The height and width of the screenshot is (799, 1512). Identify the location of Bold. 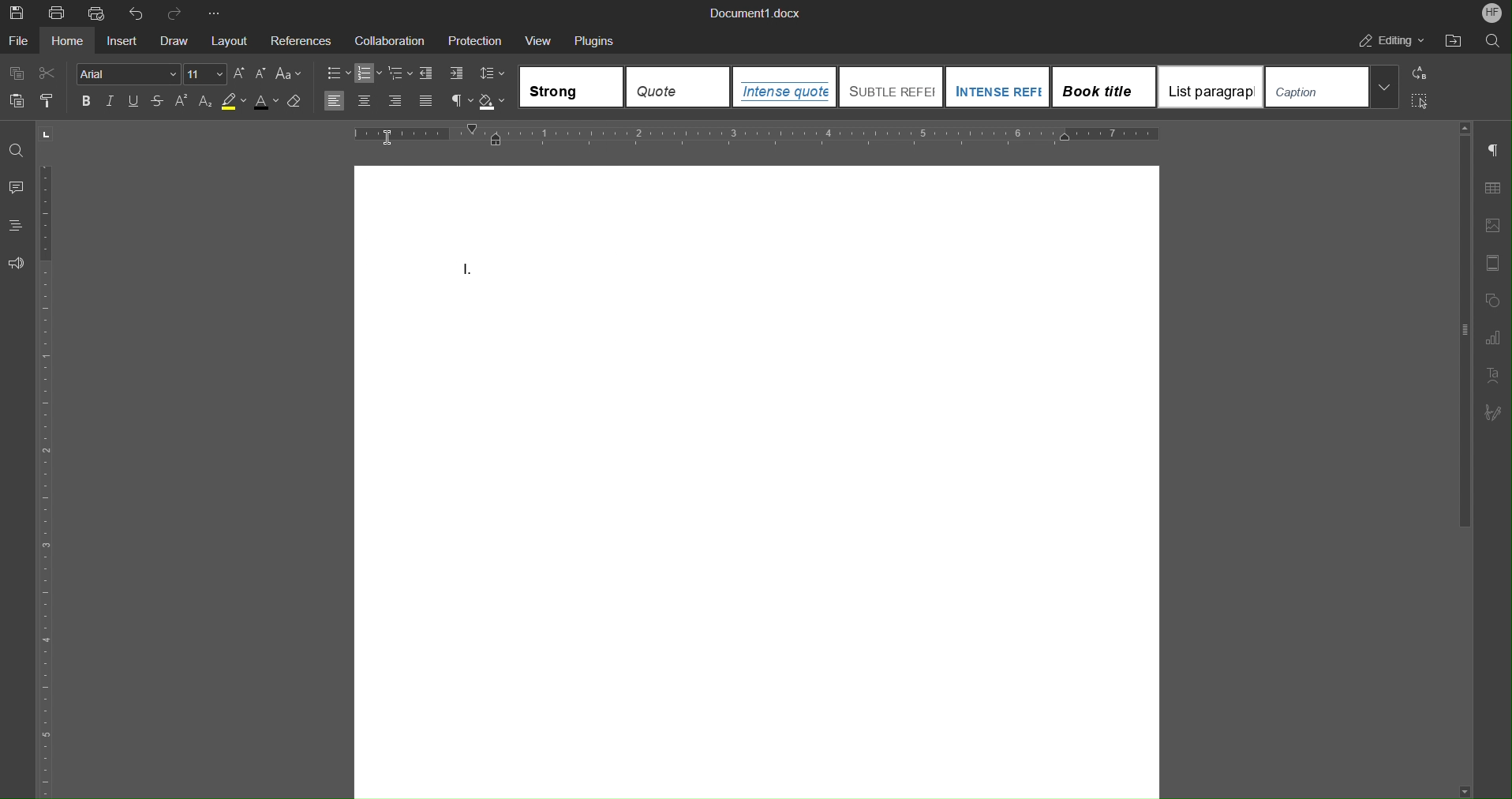
(86, 101).